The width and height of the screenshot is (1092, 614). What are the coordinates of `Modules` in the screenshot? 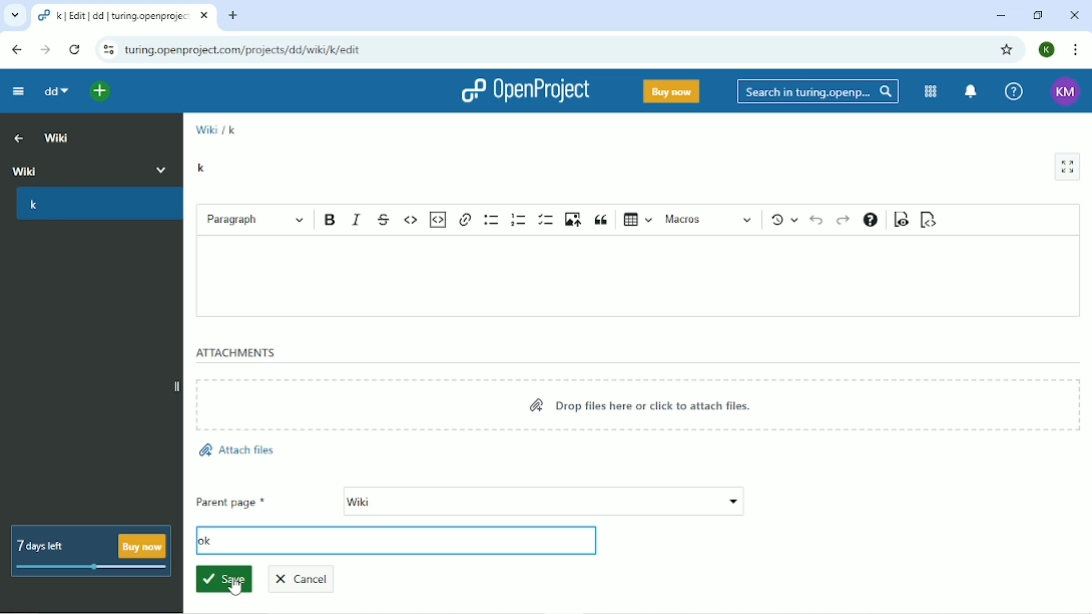 It's located at (931, 92).